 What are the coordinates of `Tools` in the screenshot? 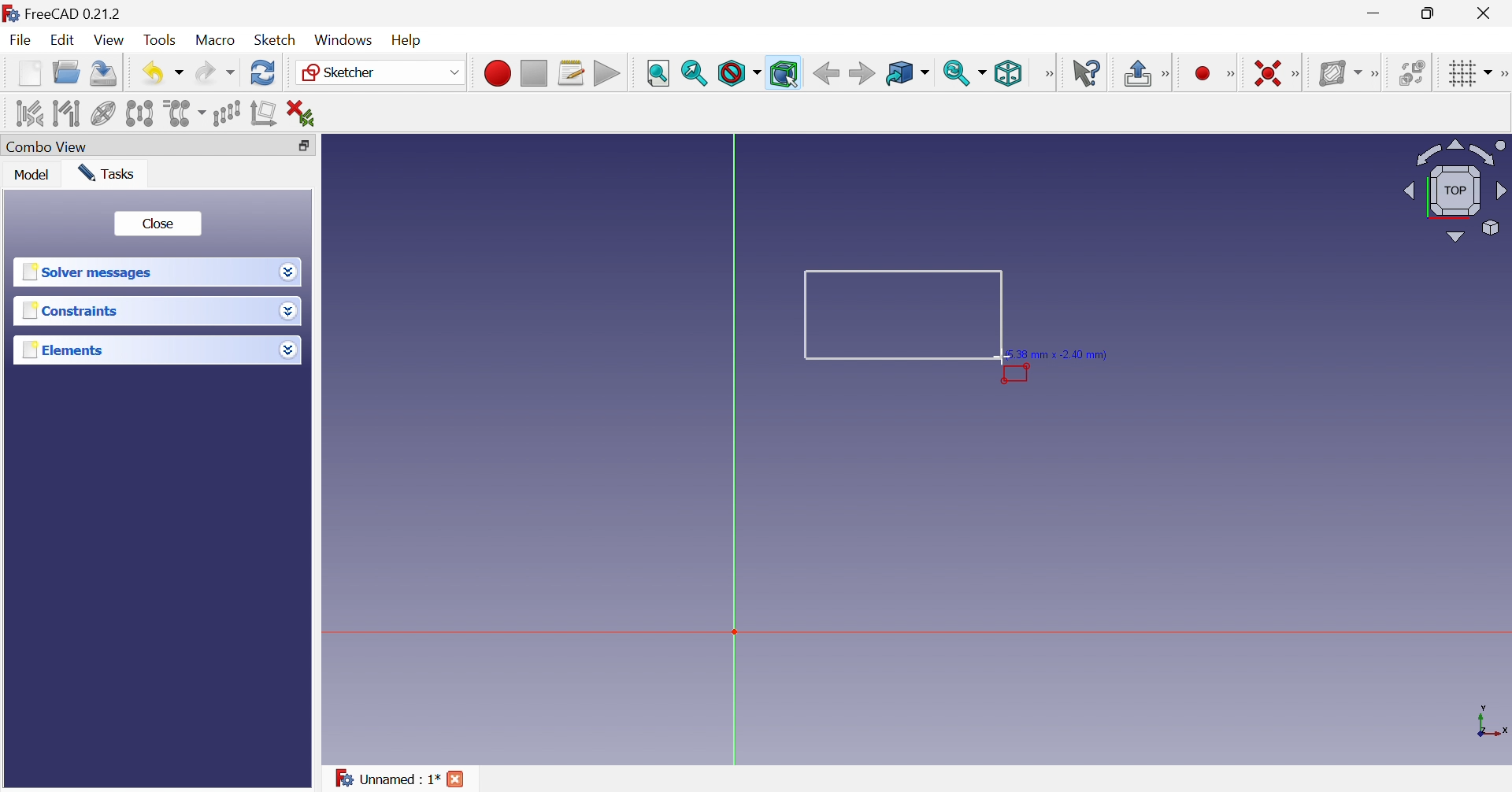 It's located at (159, 41).